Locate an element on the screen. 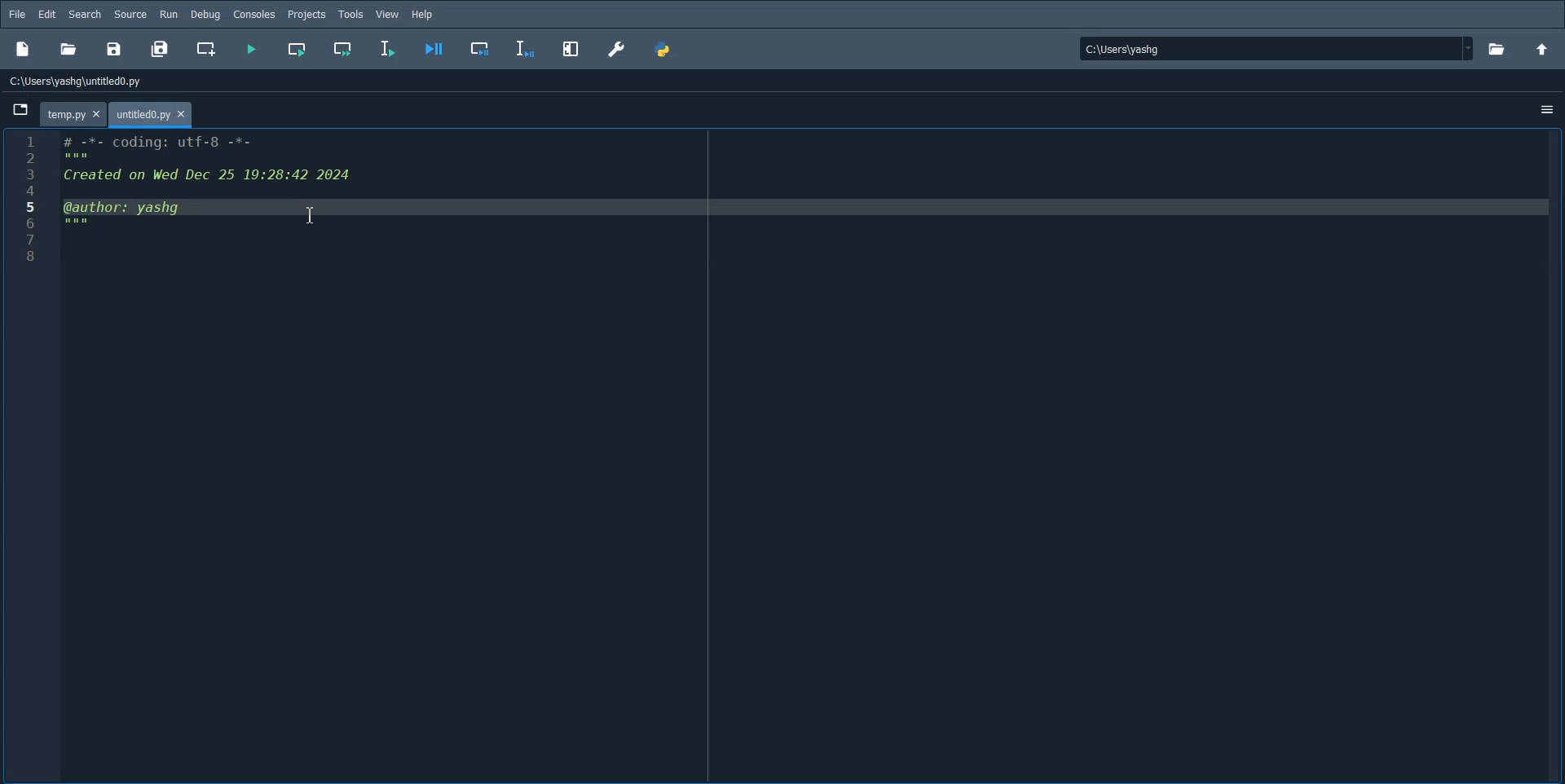 The height and width of the screenshot is (784, 1565). File is located at coordinates (18, 15).